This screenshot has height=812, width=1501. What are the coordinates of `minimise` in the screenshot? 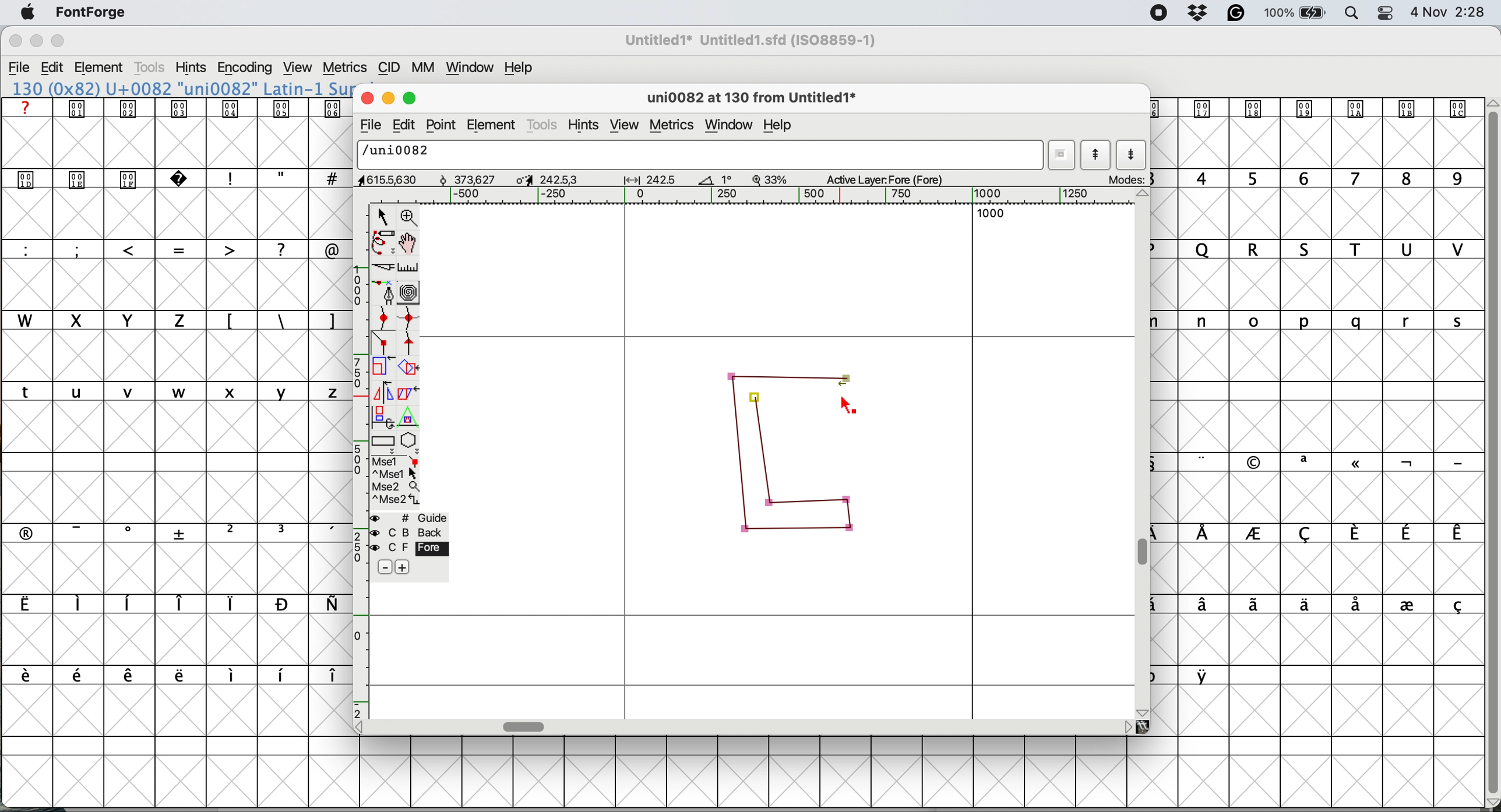 It's located at (36, 41).